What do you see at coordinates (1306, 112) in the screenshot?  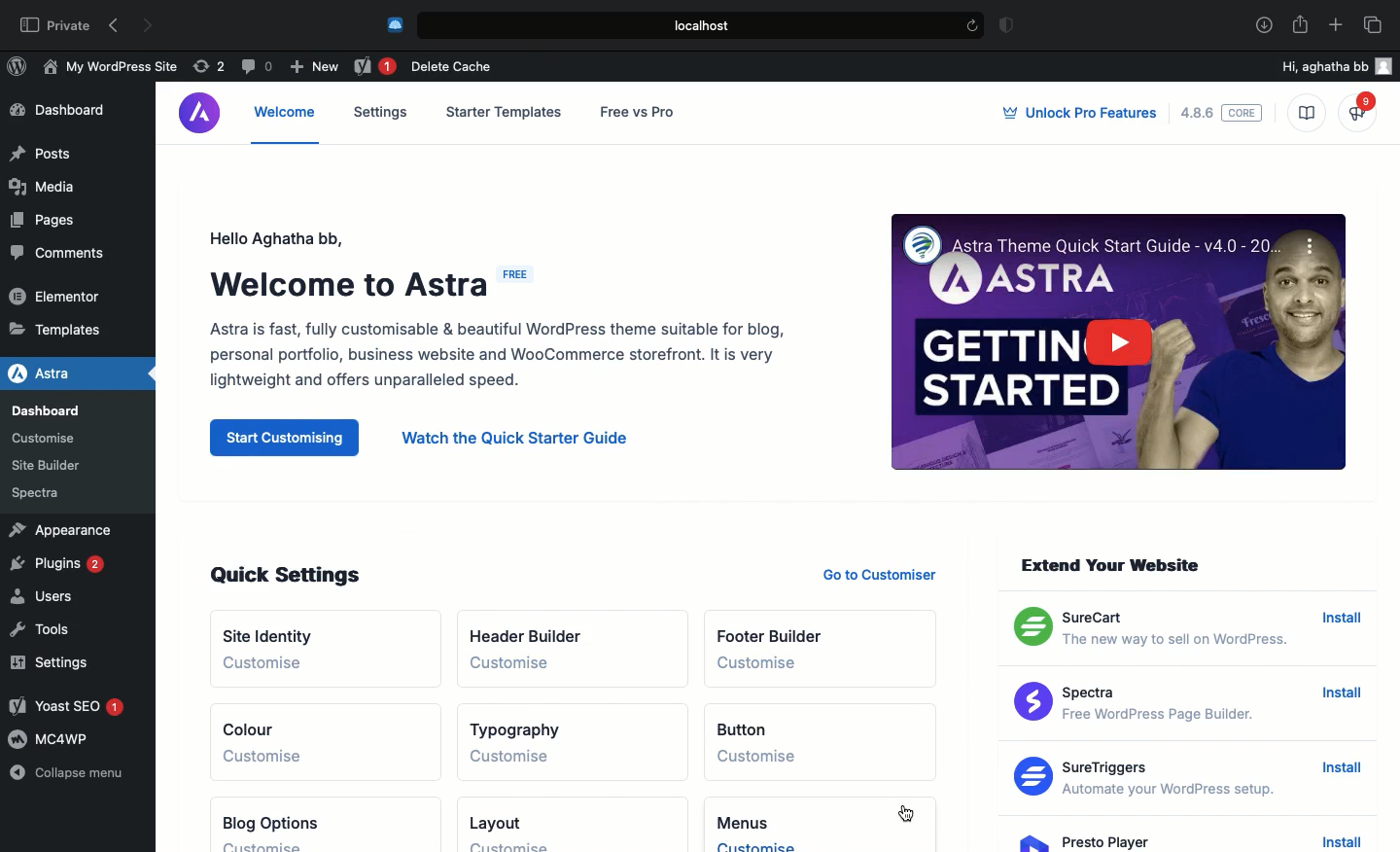 I see `Knowledge base` at bounding box center [1306, 112].